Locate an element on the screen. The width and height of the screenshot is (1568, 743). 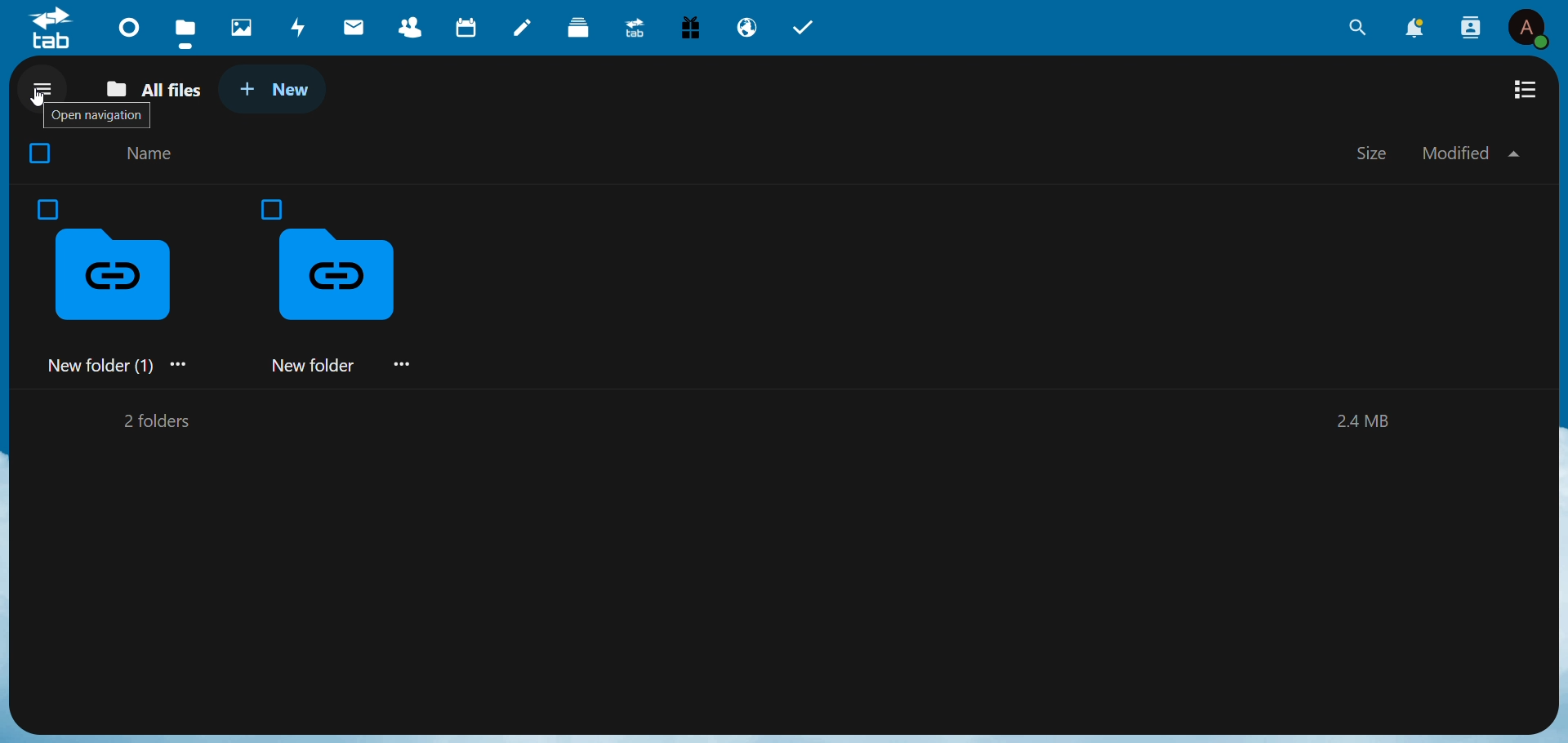
modified is located at coordinates (1469, 153).